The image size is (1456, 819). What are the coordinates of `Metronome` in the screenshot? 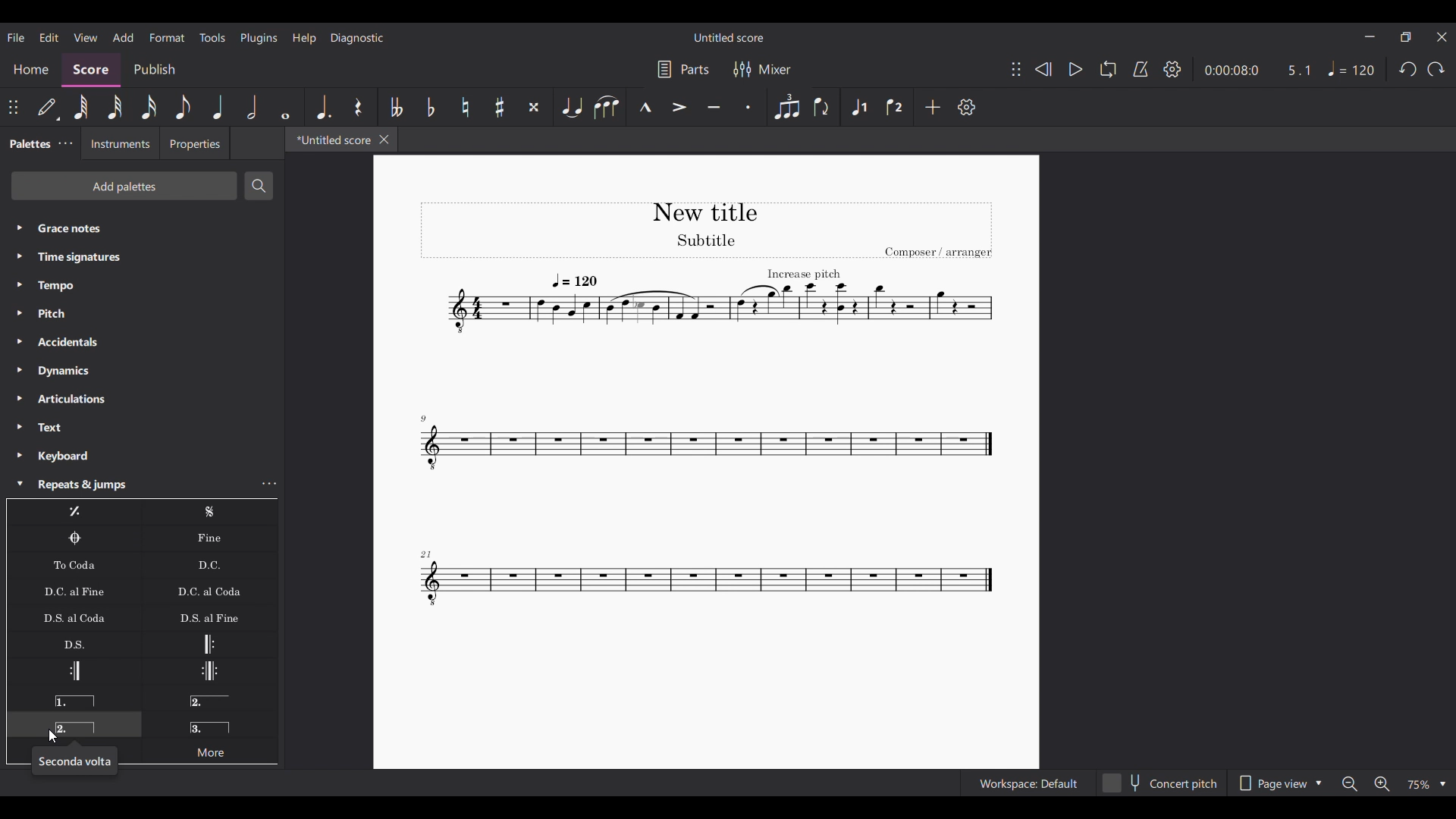 It's located at (1141, 69).